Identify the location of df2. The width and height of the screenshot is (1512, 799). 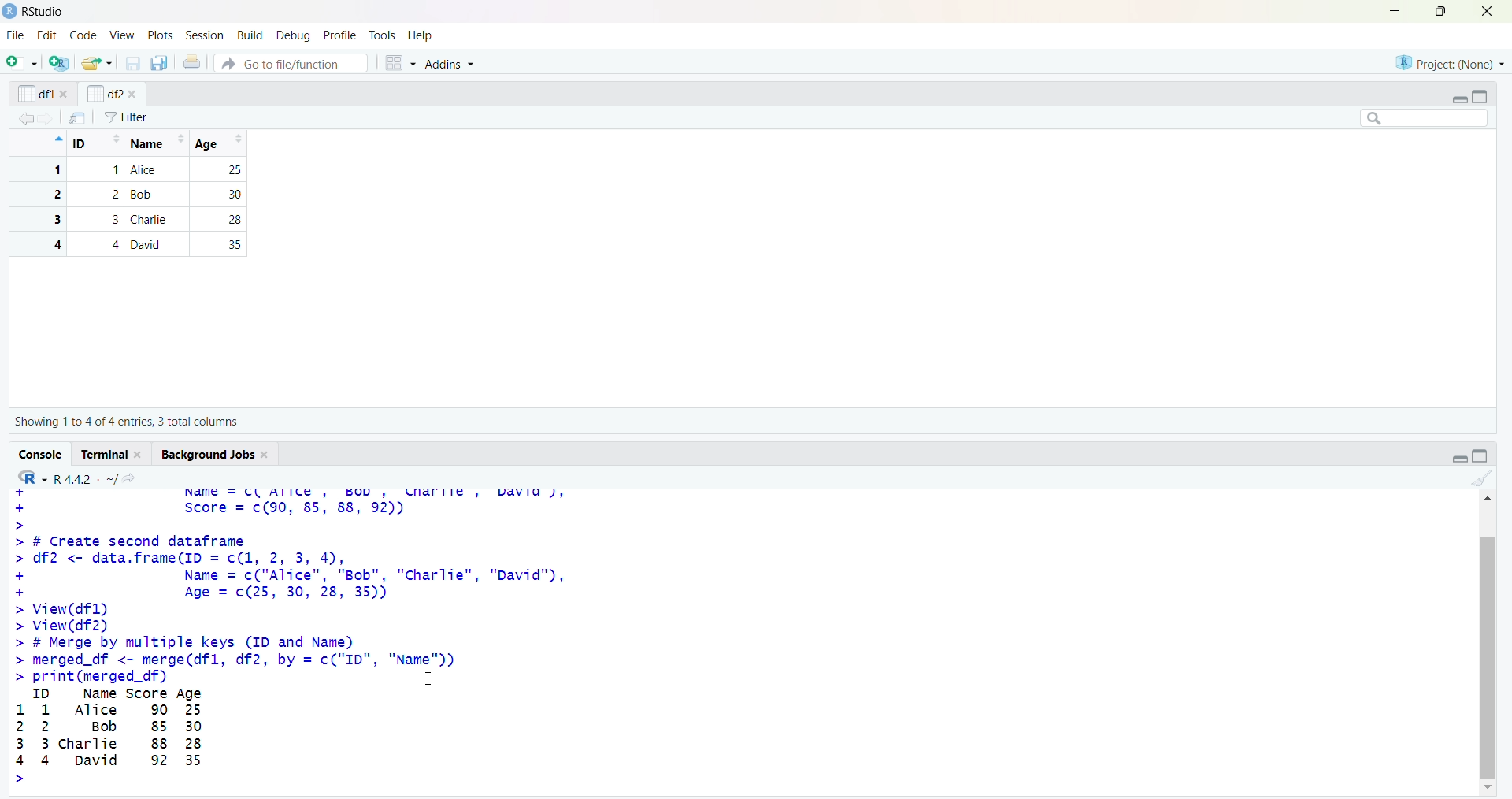
(104, 93).